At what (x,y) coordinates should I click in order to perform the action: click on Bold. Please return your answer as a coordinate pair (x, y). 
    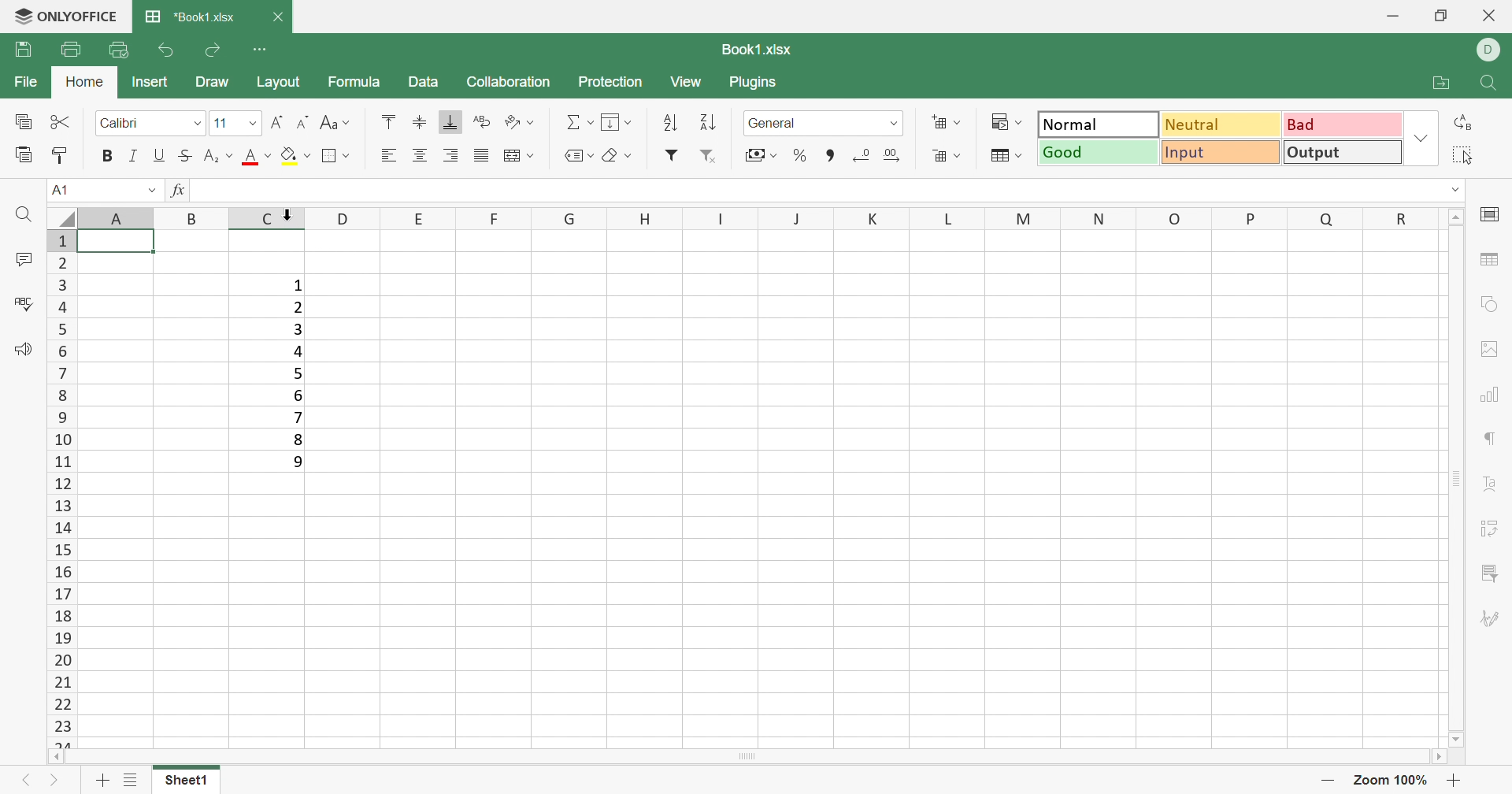
    Looking at the image, I should click on (110, 158).